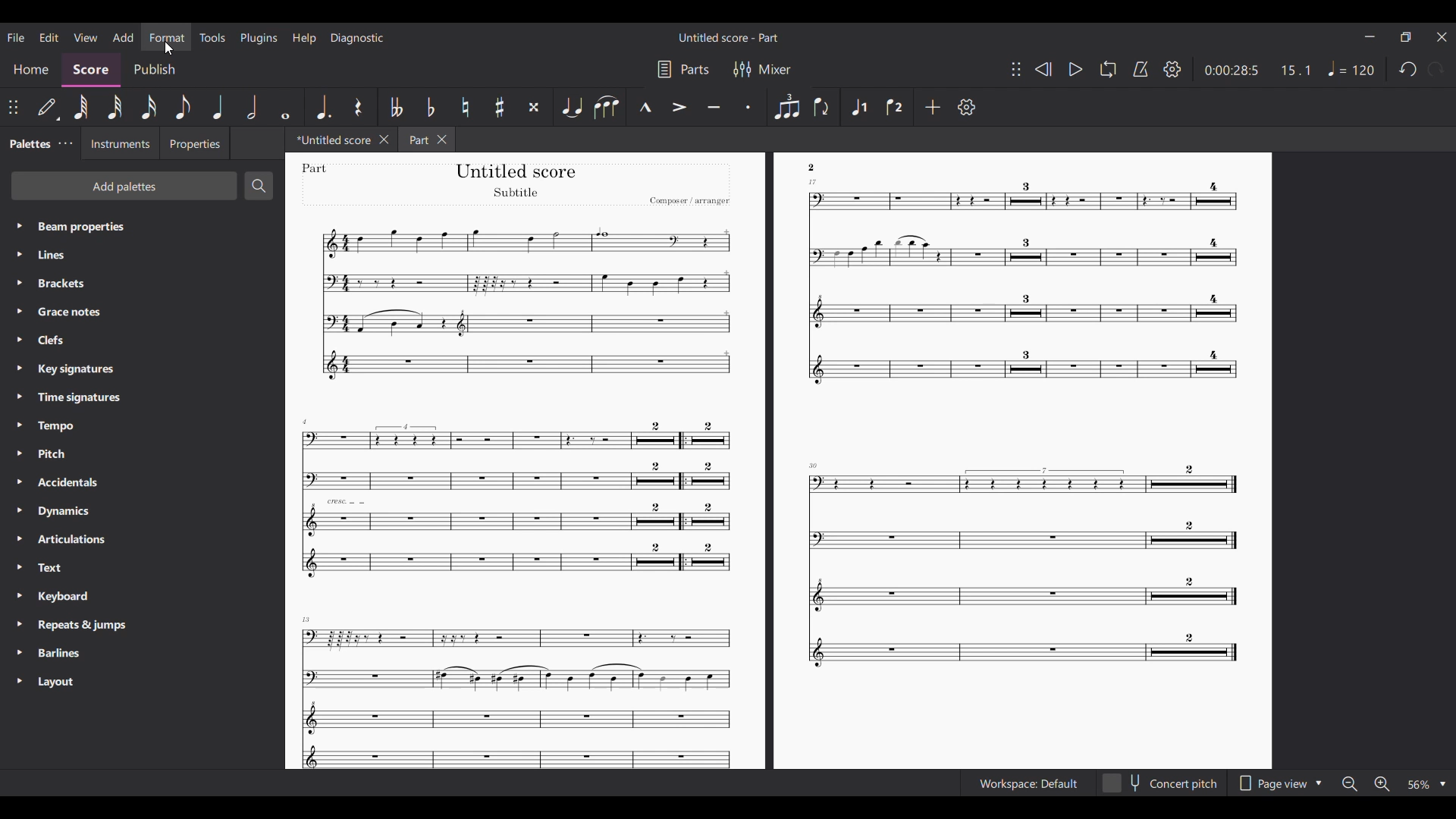 Image resolution: width=1456 pixels, height=819 pixels. I want to click on Loop playback, so click(1108, 69).